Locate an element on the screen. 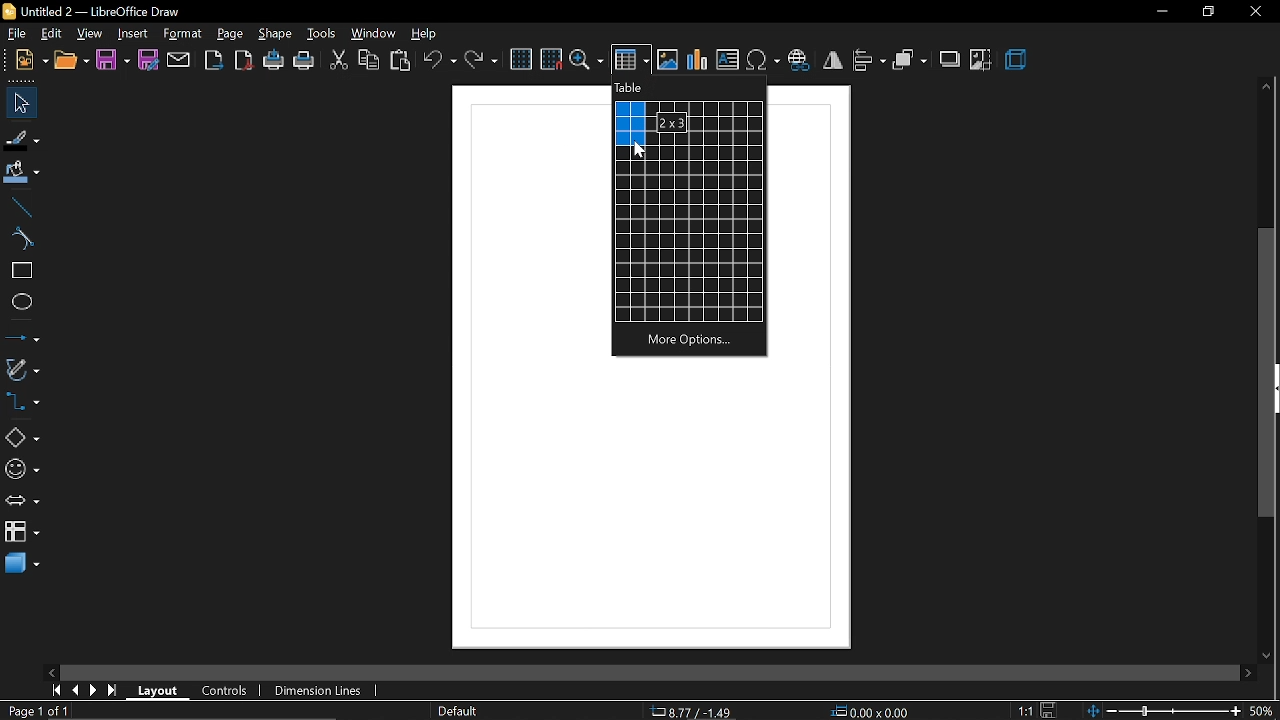 The image size is (1280, 720). insert symbol is located at coordinates (763, 61).